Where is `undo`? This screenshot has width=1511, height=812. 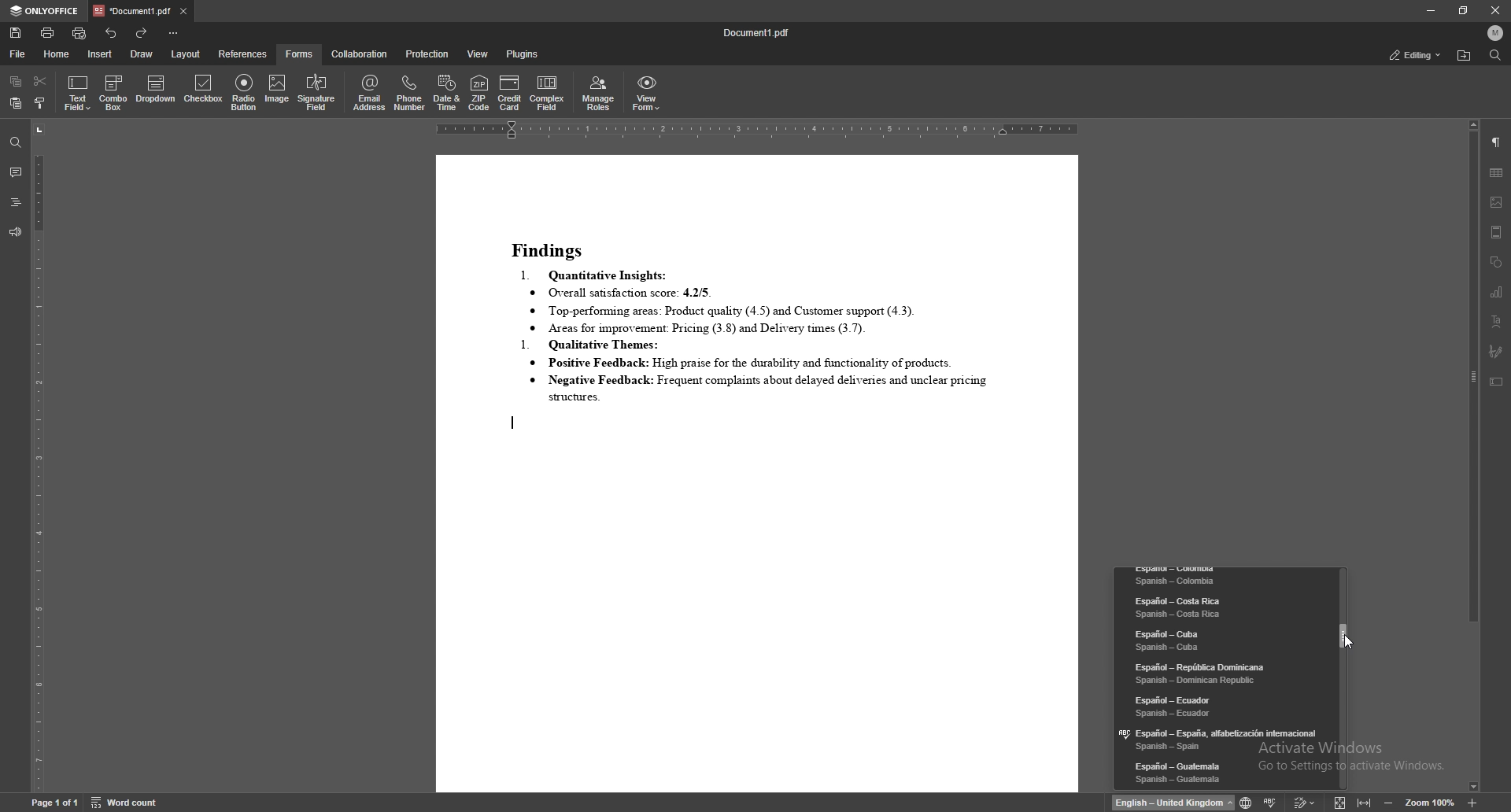 undo is located at coordinates (112, 33).